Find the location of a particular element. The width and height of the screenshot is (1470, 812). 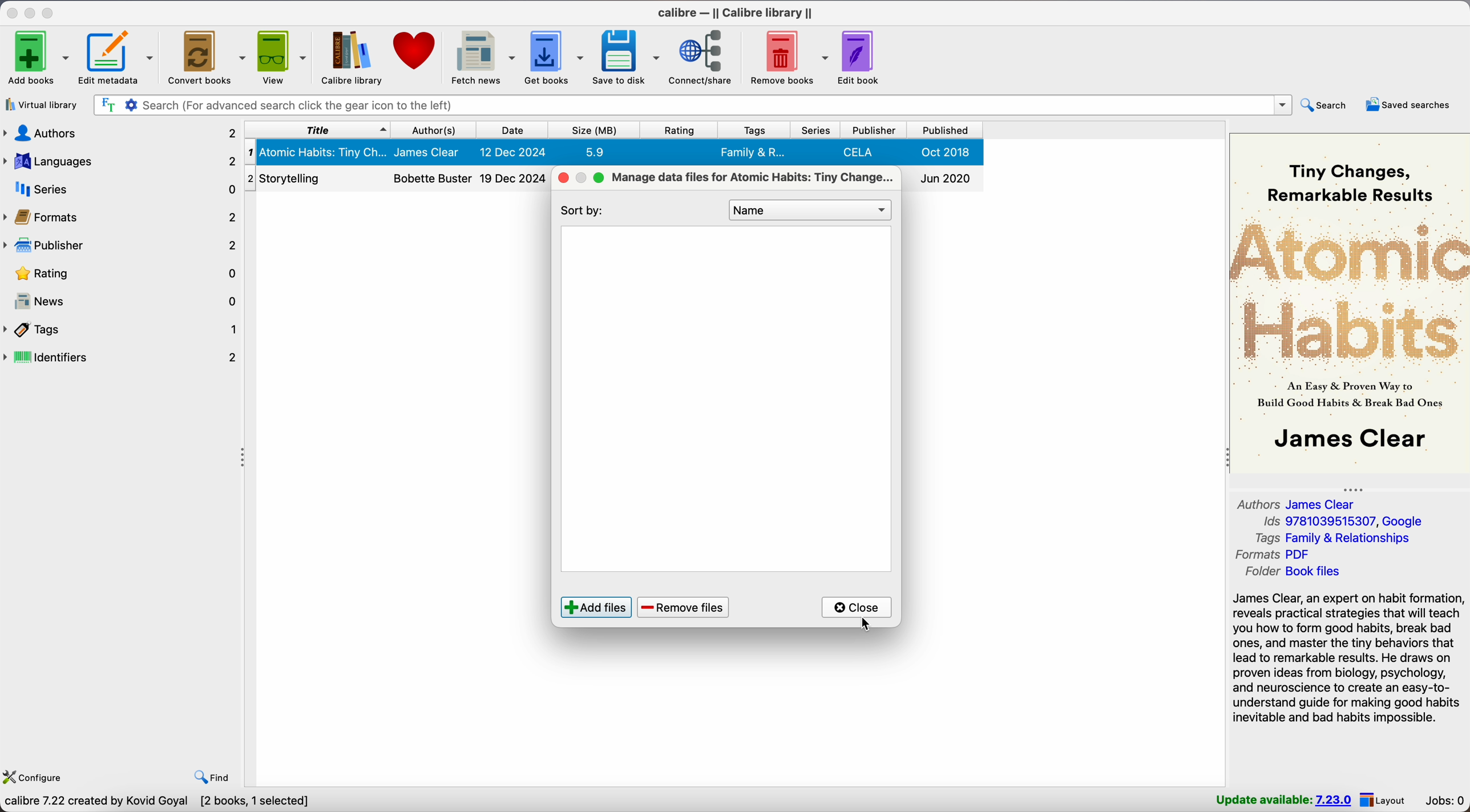

remove books is located at coordinates (788, 57).